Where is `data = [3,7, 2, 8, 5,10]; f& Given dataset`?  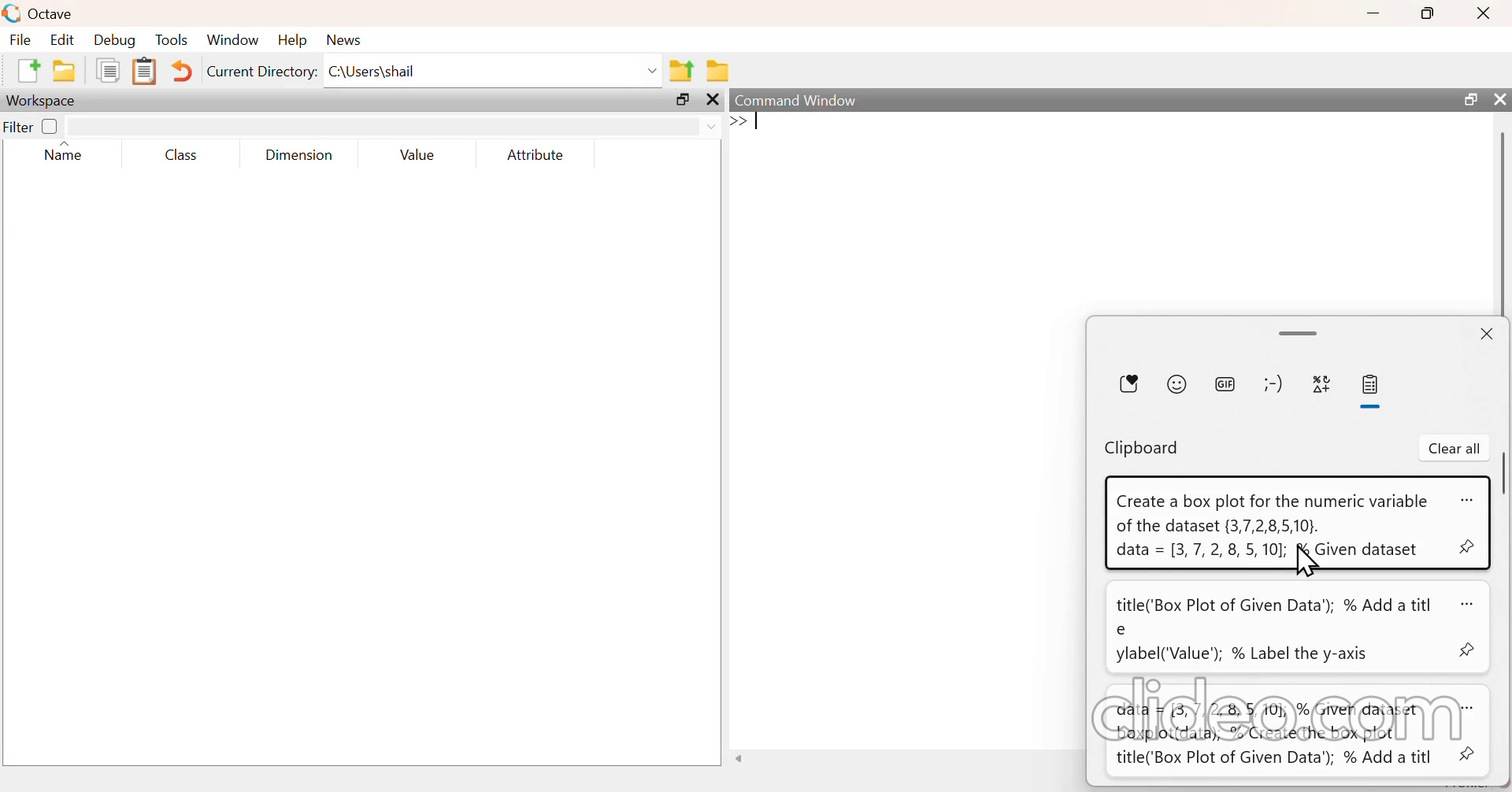 data = [3,7, 2, 8, 5,10]; f& Given dataset is located at coordinates (1260, 551).